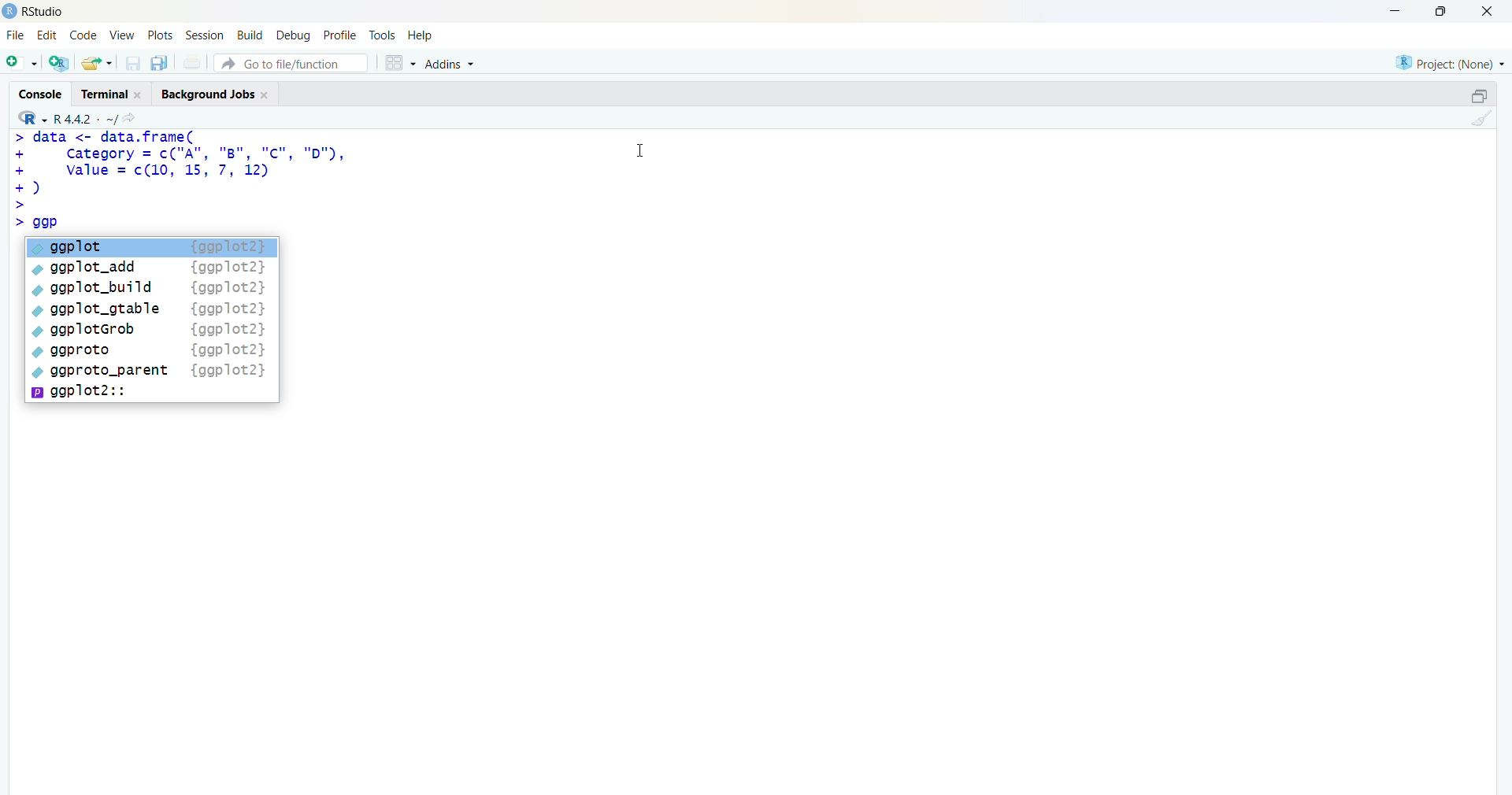  What do you see at coordinates (48, 12) in the screenshot?
I see `Rstudio` at bounding box center [48, 12].